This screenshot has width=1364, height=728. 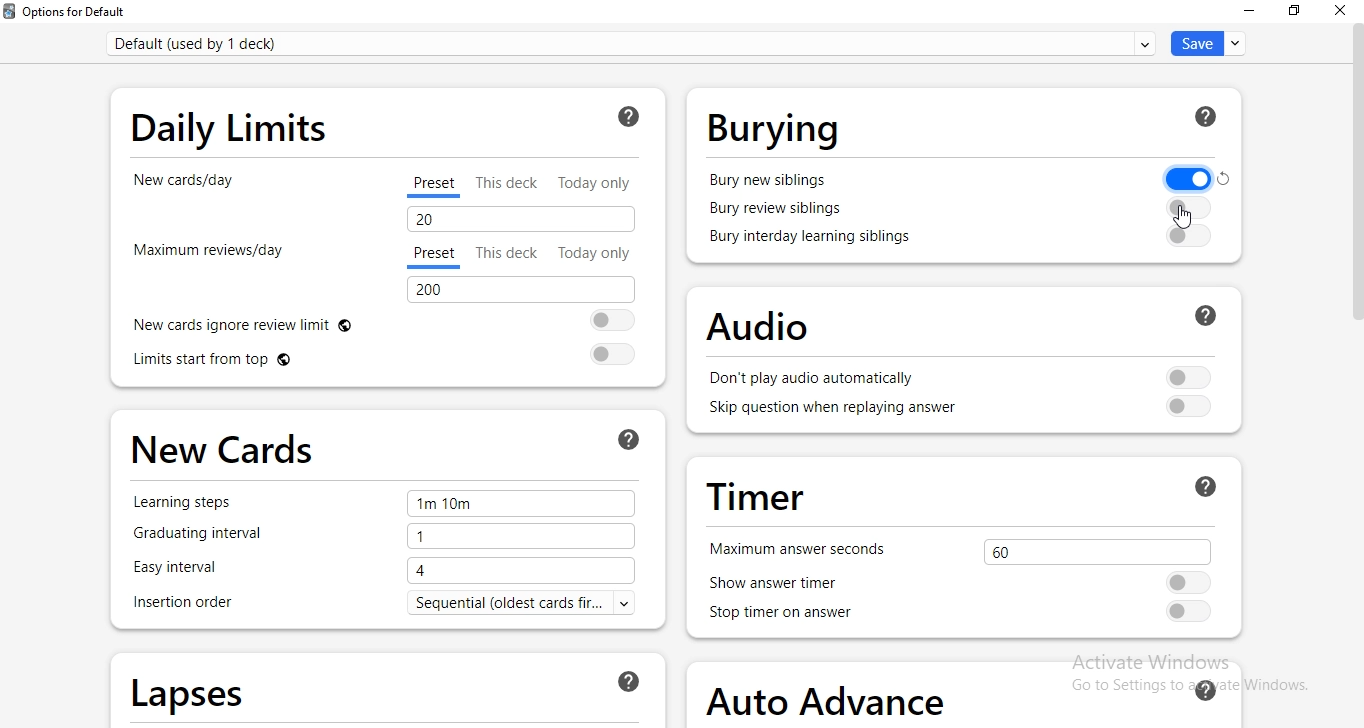 What do you see at coordinates (189, 689) in the screenshot?
I see `lapses` at bounding box center [189, 689].